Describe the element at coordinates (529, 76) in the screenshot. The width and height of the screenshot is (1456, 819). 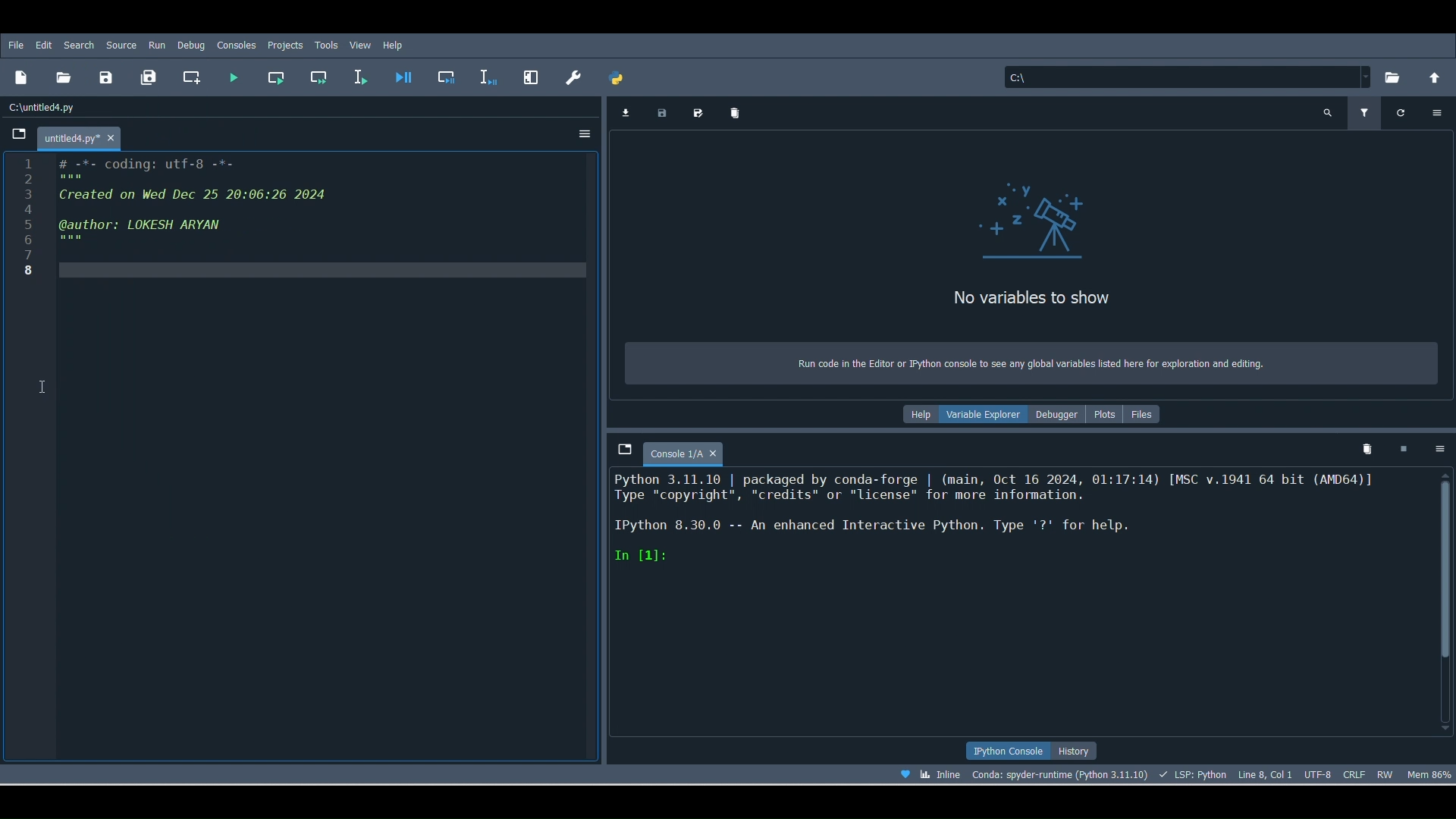
I see `Preferences` at that location.